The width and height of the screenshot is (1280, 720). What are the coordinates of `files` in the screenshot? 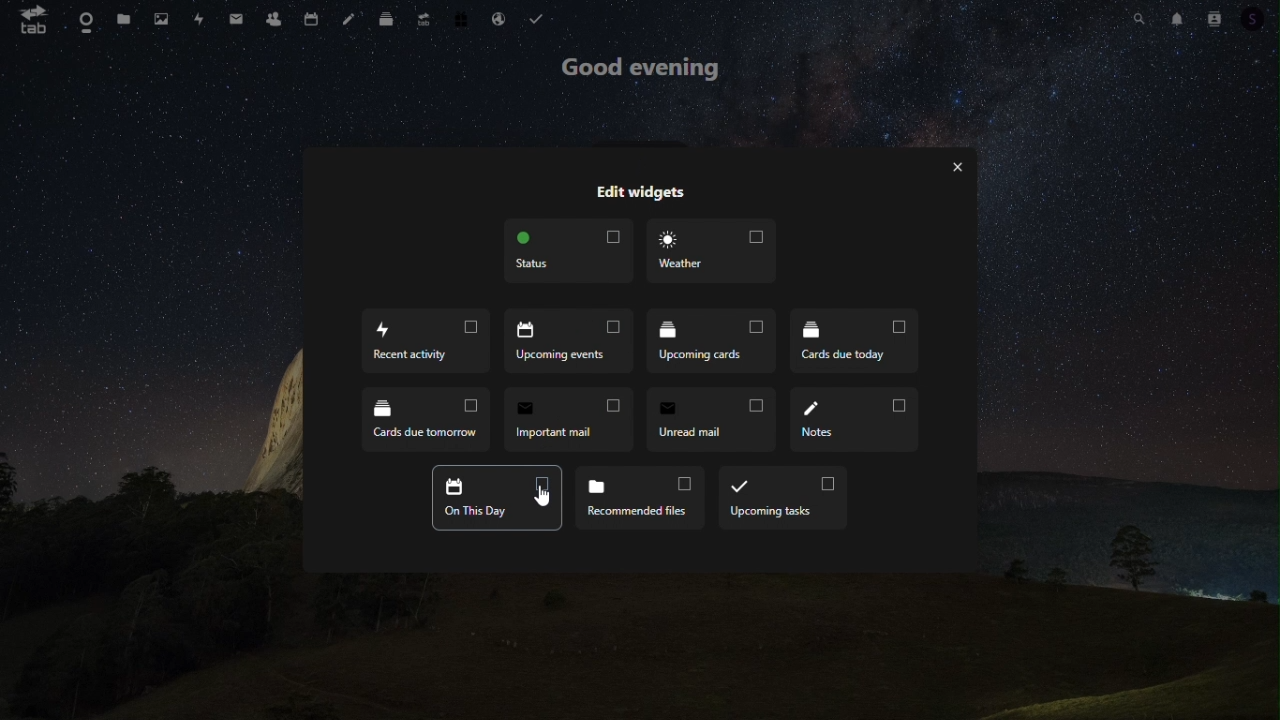 It's located at (124, 20).